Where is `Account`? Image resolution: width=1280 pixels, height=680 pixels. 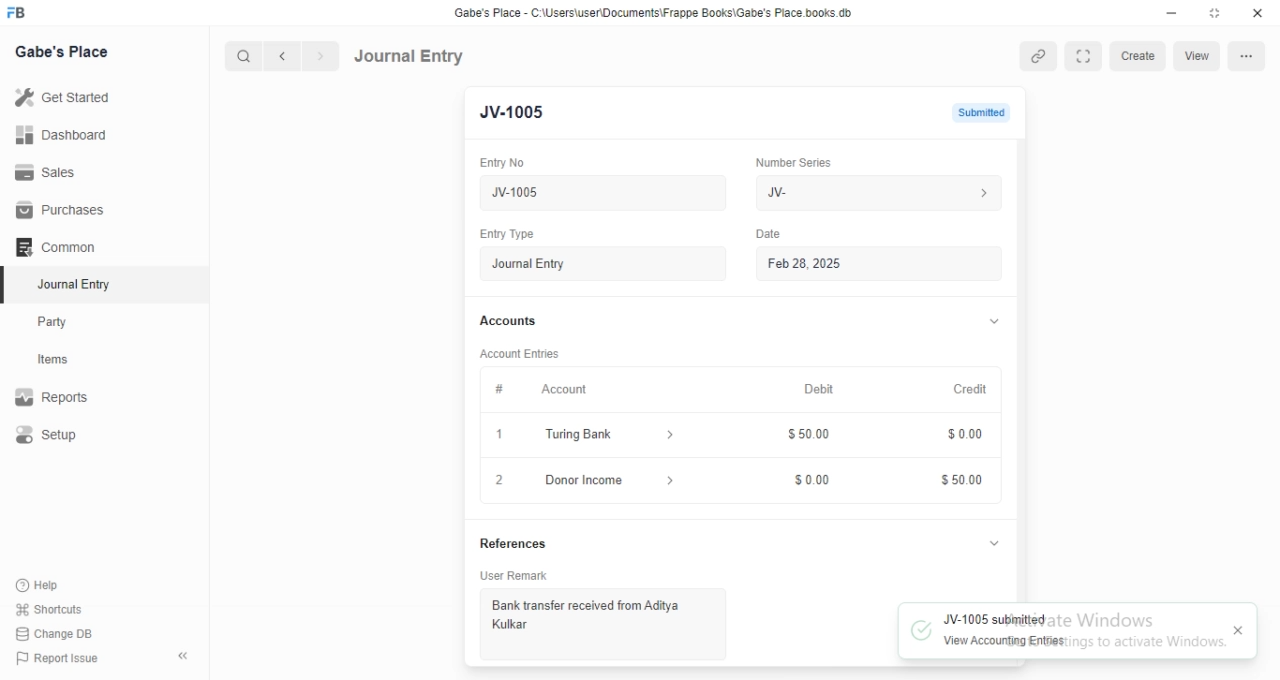 Account is located at coordinates (549, 391).